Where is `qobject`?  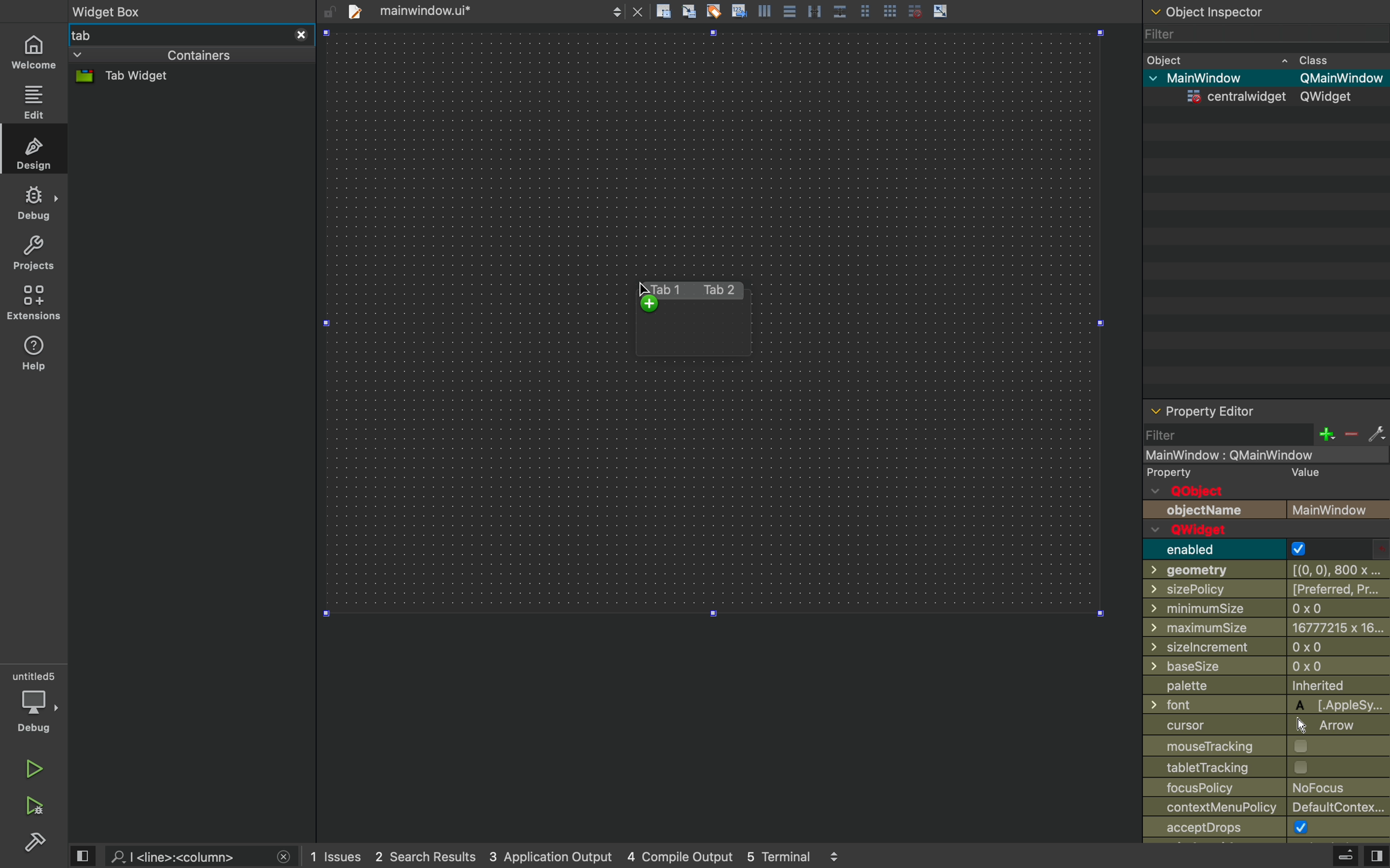
qobject is located at coordinates (1227, 491).